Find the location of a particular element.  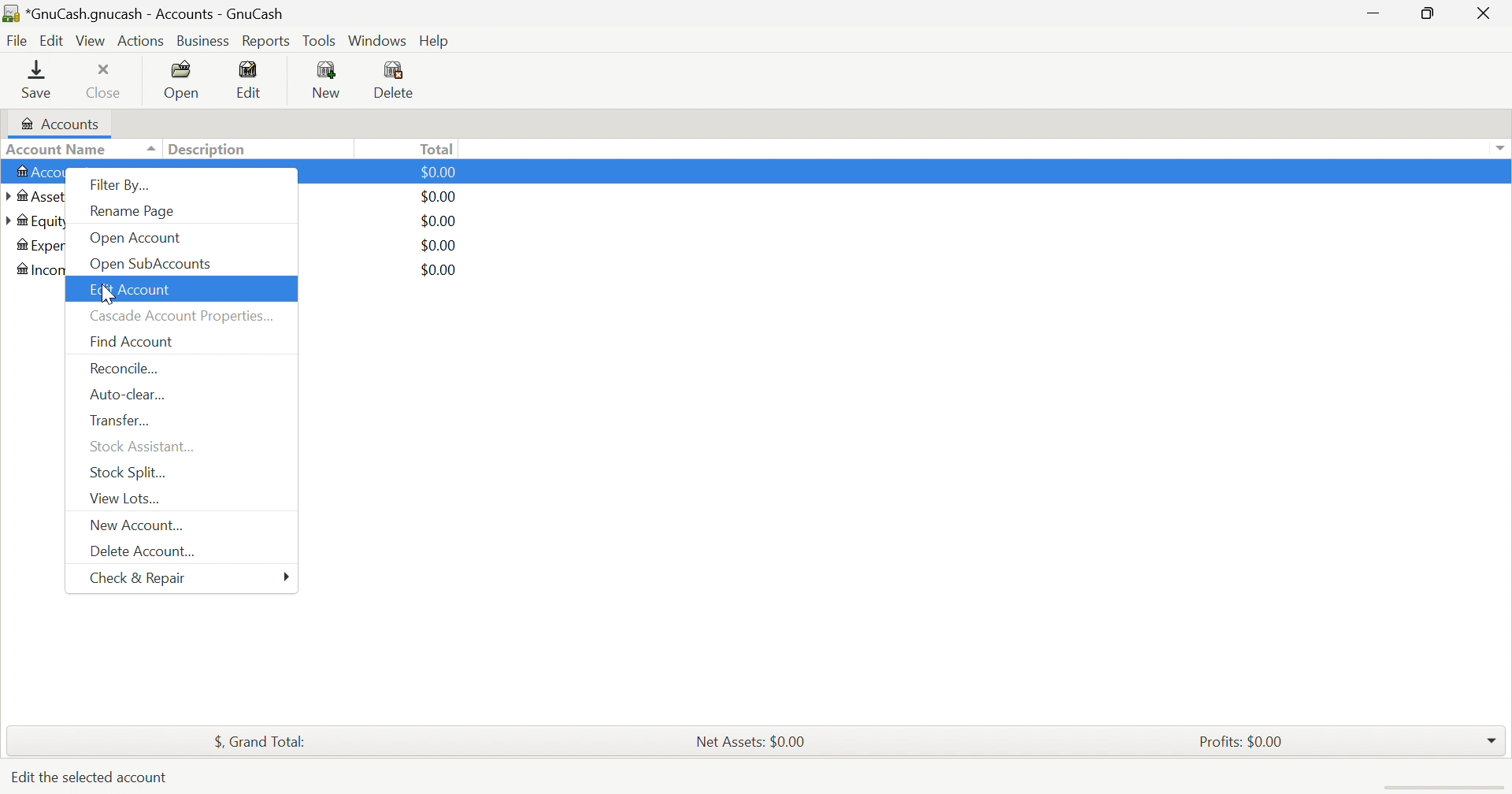

Accounts is located at coordinates (35, 173).